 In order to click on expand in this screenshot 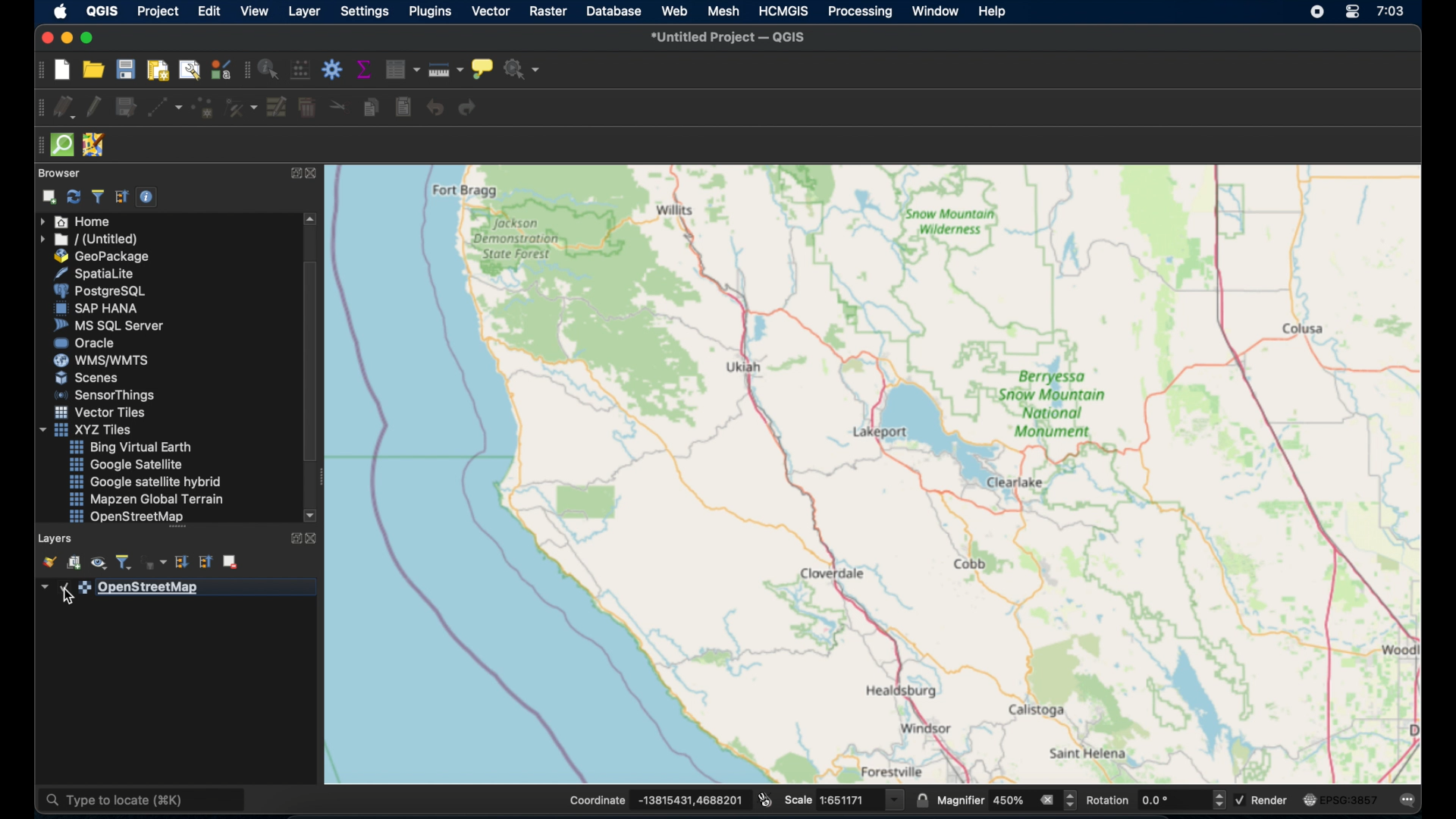, I will do `click(293, 539)`.